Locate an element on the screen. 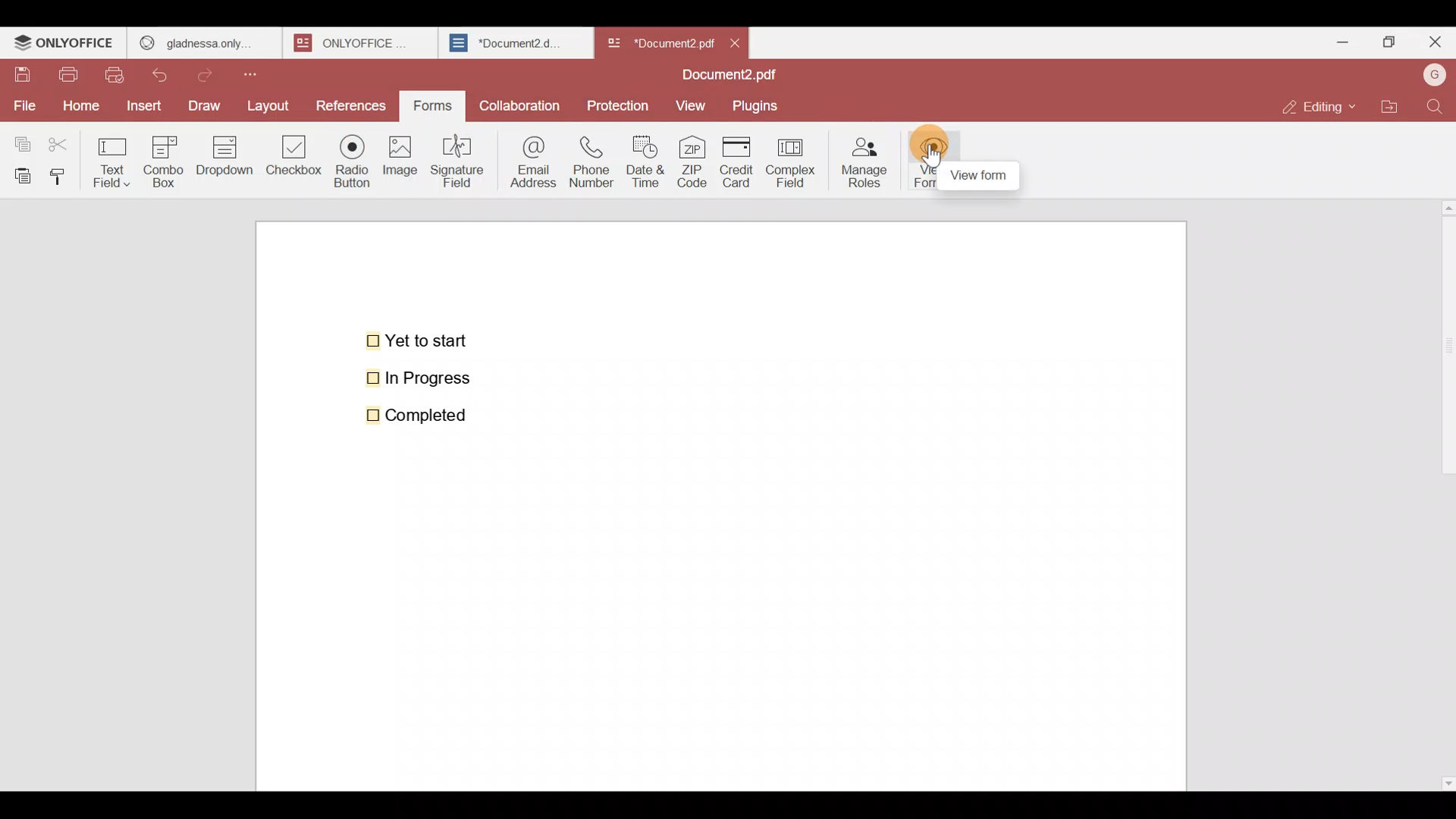 The width and height of the screenshot is (1456, 819). Copy is located at coordinates (20, 140).